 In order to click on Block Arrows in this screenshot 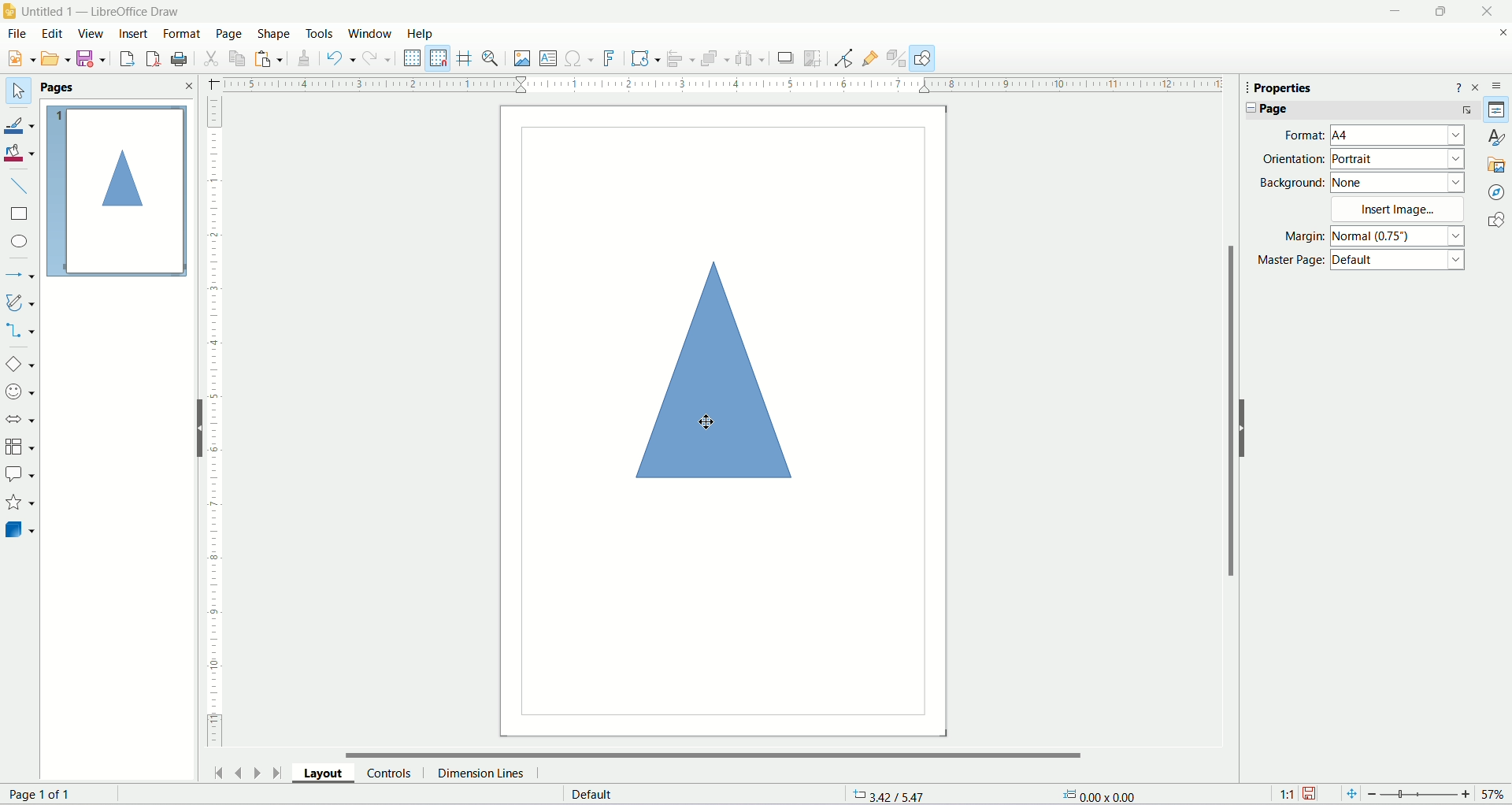, I will do `click(19, 417)`.